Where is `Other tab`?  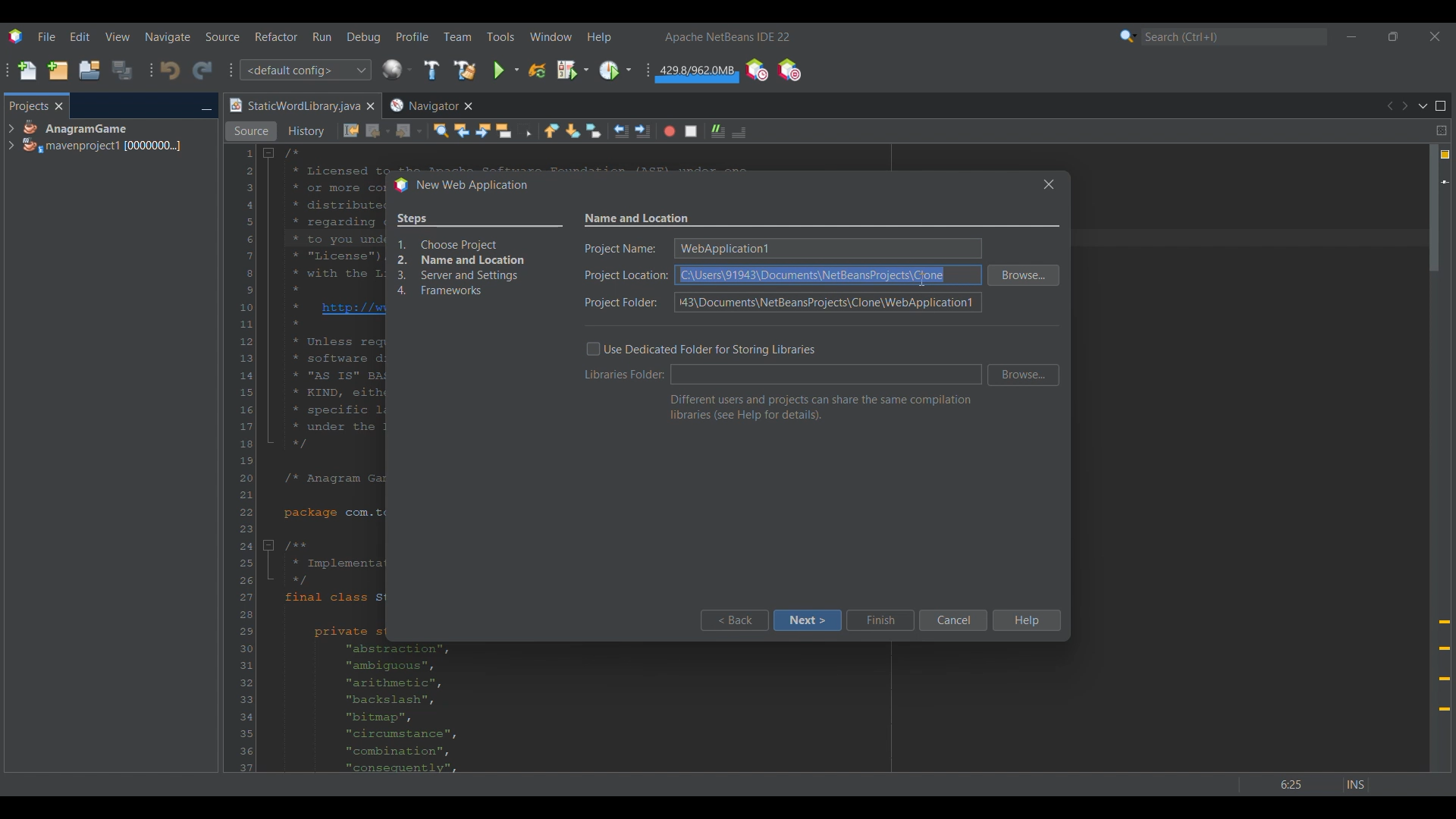 Other tab is located at coordinates (430, 105).